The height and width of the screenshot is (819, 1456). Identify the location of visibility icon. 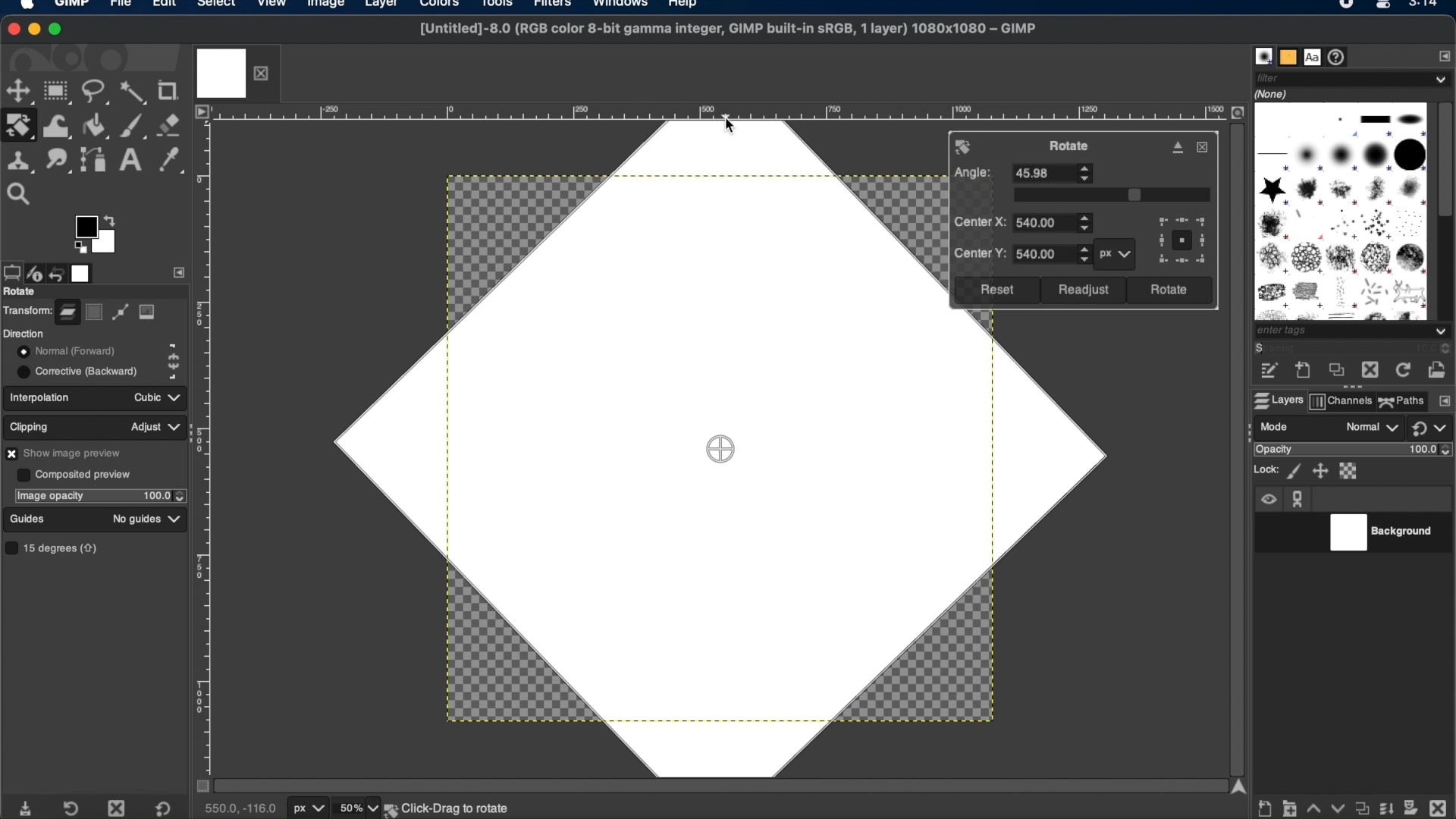
(1268, 500).